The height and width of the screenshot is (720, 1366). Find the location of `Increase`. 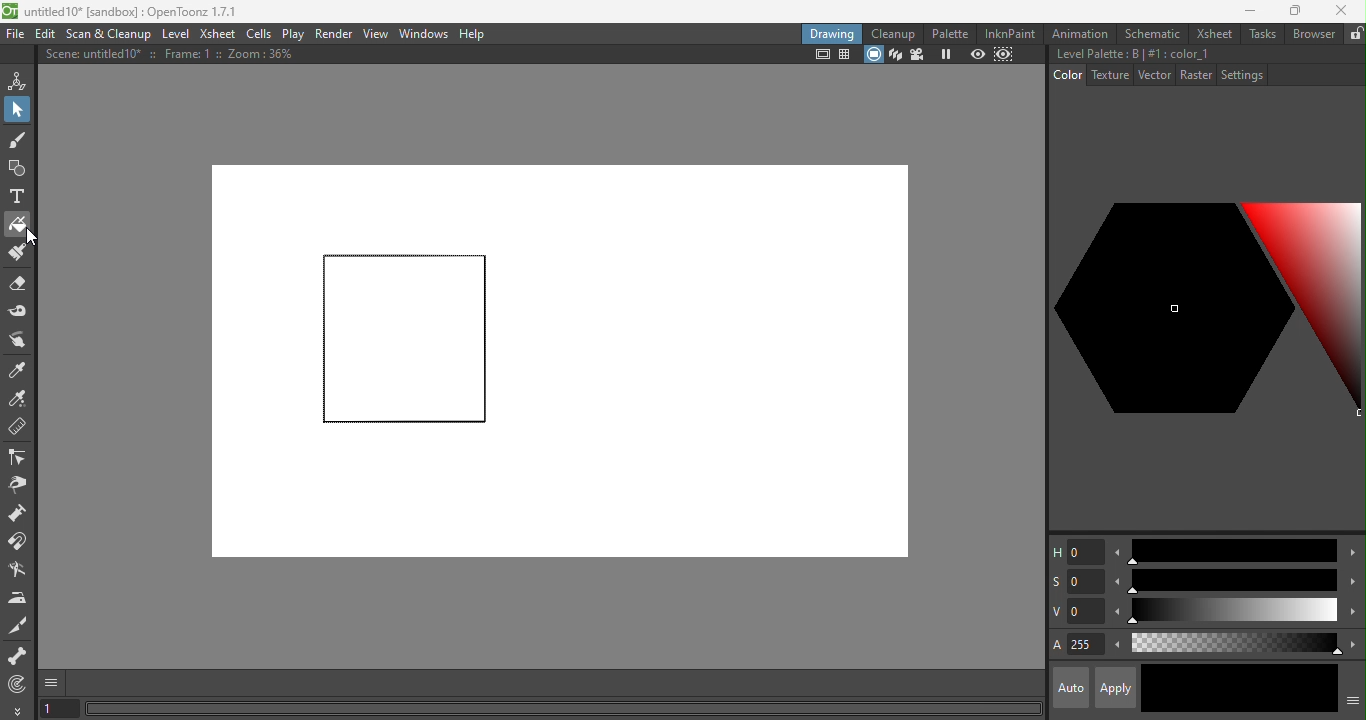

Increase is located at coordinates (1351, 580).